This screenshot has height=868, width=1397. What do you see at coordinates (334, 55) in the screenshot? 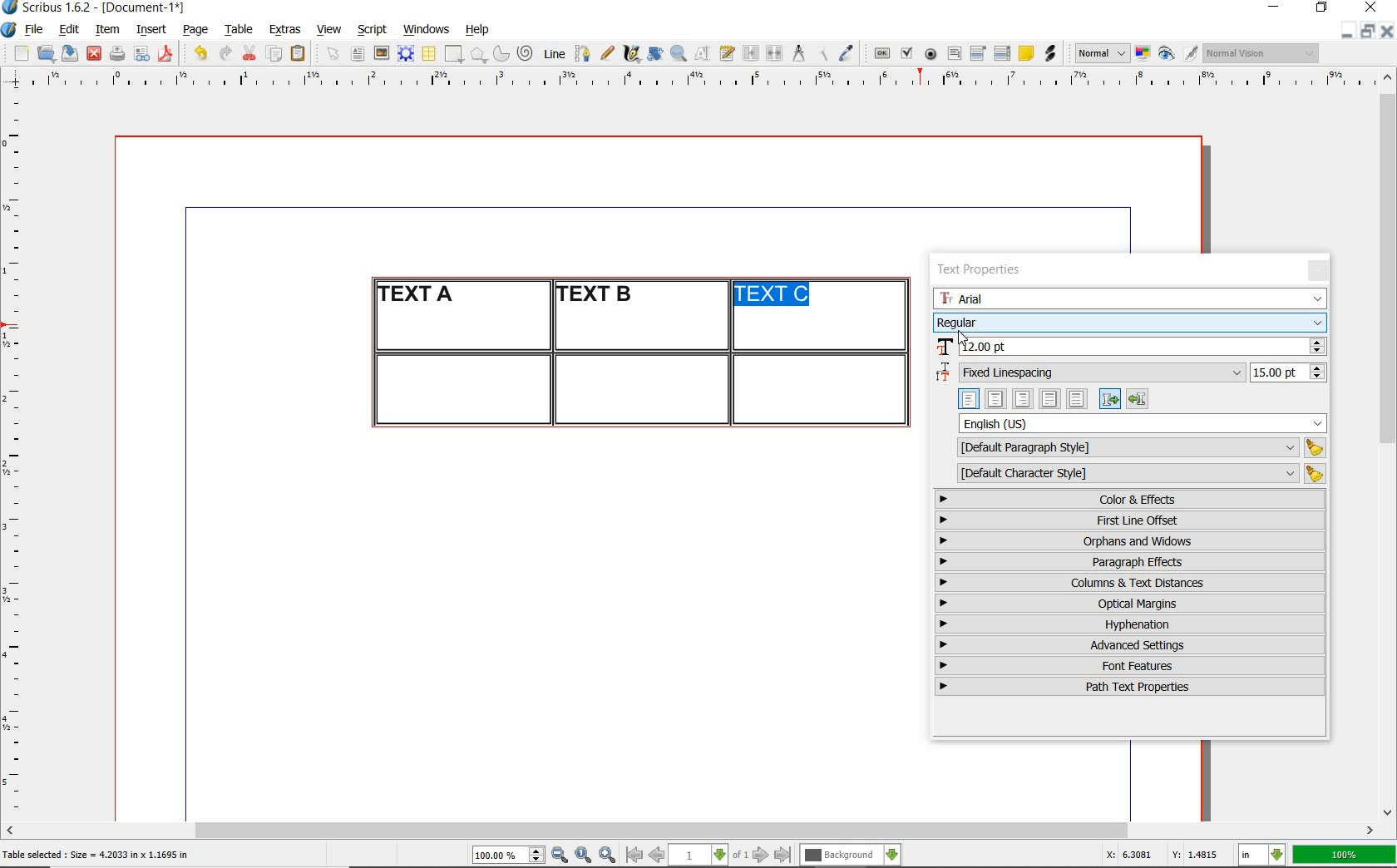
I see `select` at bounding box center [334, 55].